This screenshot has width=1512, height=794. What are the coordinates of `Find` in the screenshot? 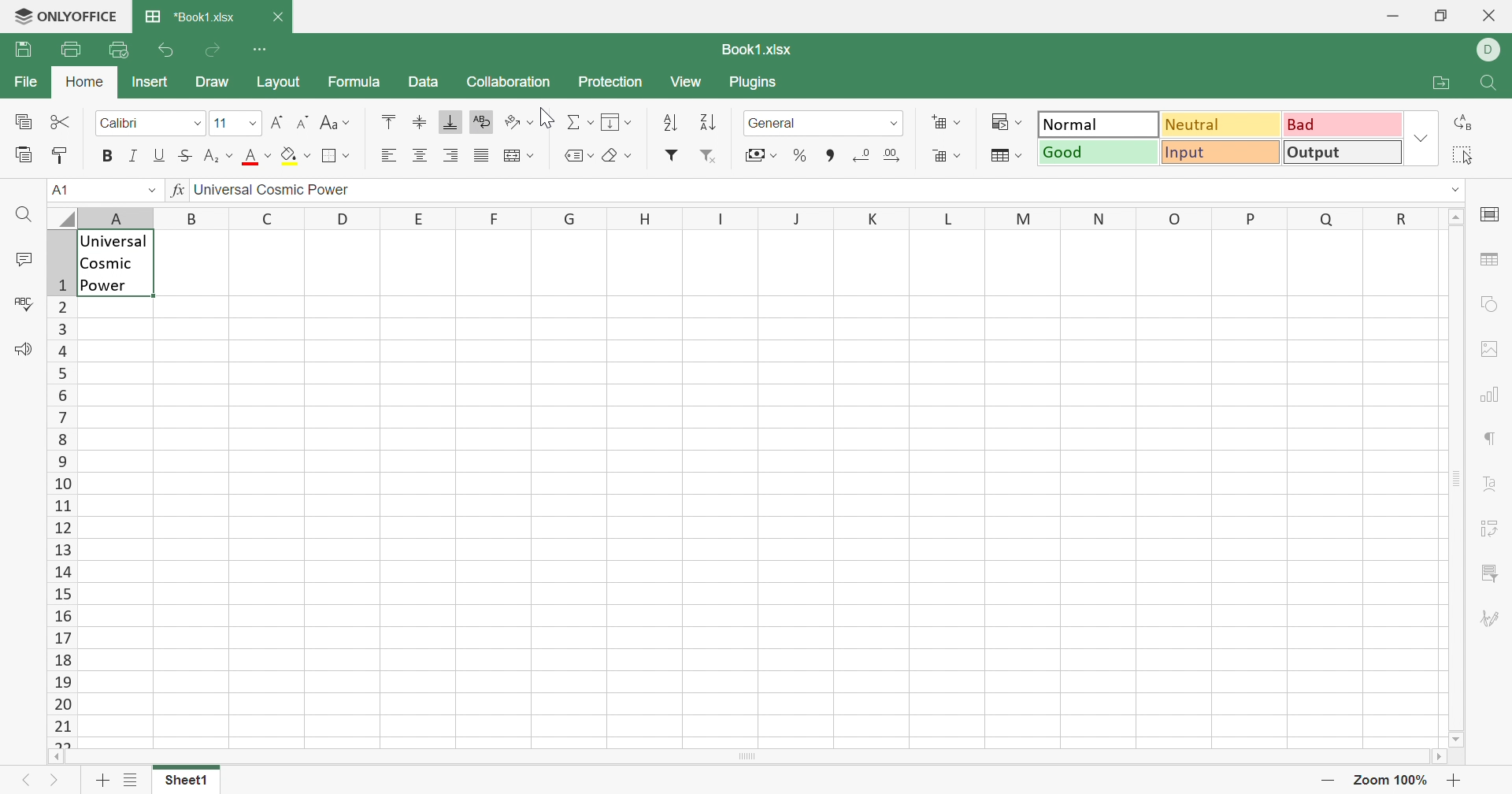 It's located at (22, 215).